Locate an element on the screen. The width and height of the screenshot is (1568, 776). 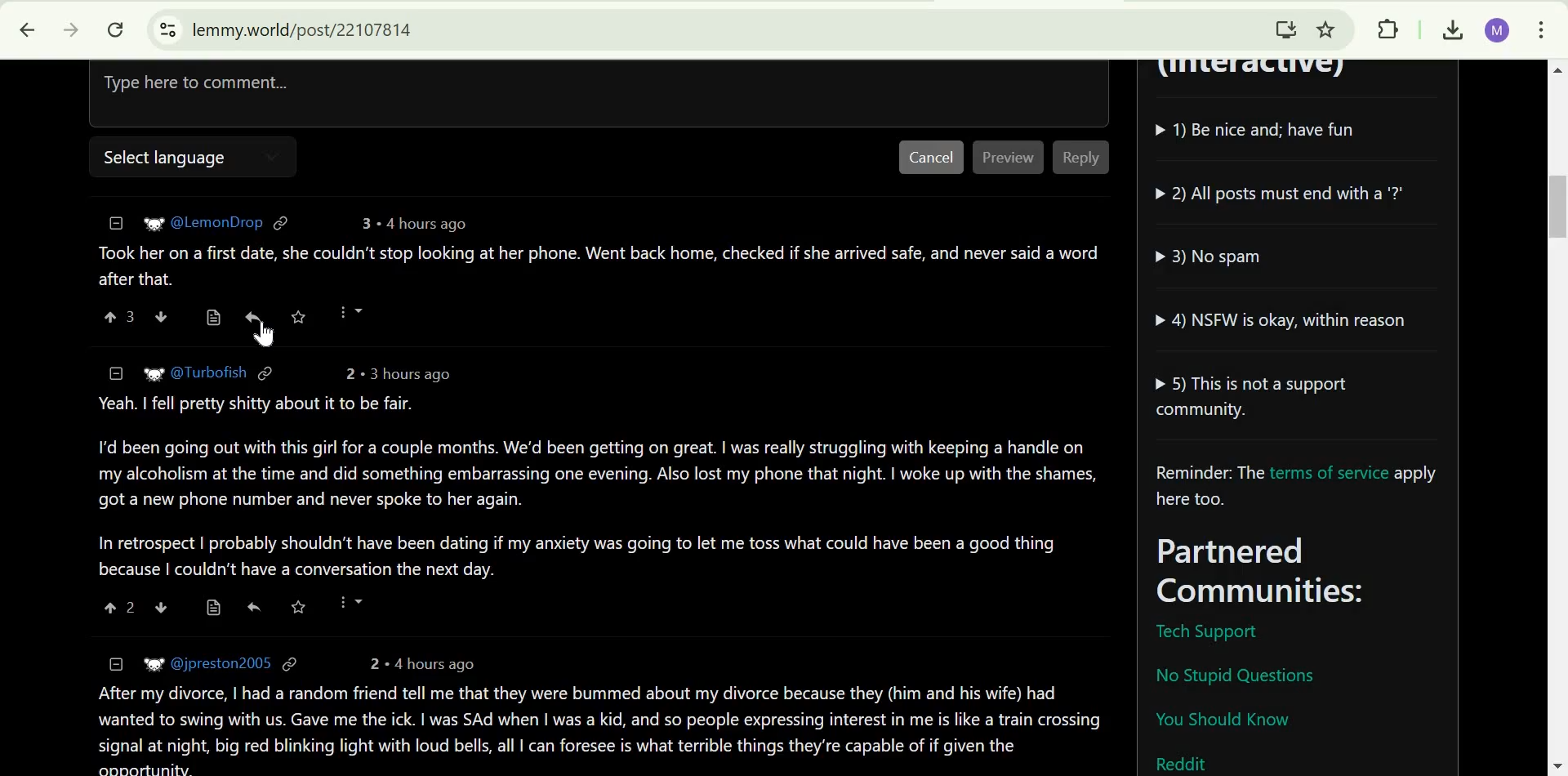
Reload this page is located at coordinates (117, 29).